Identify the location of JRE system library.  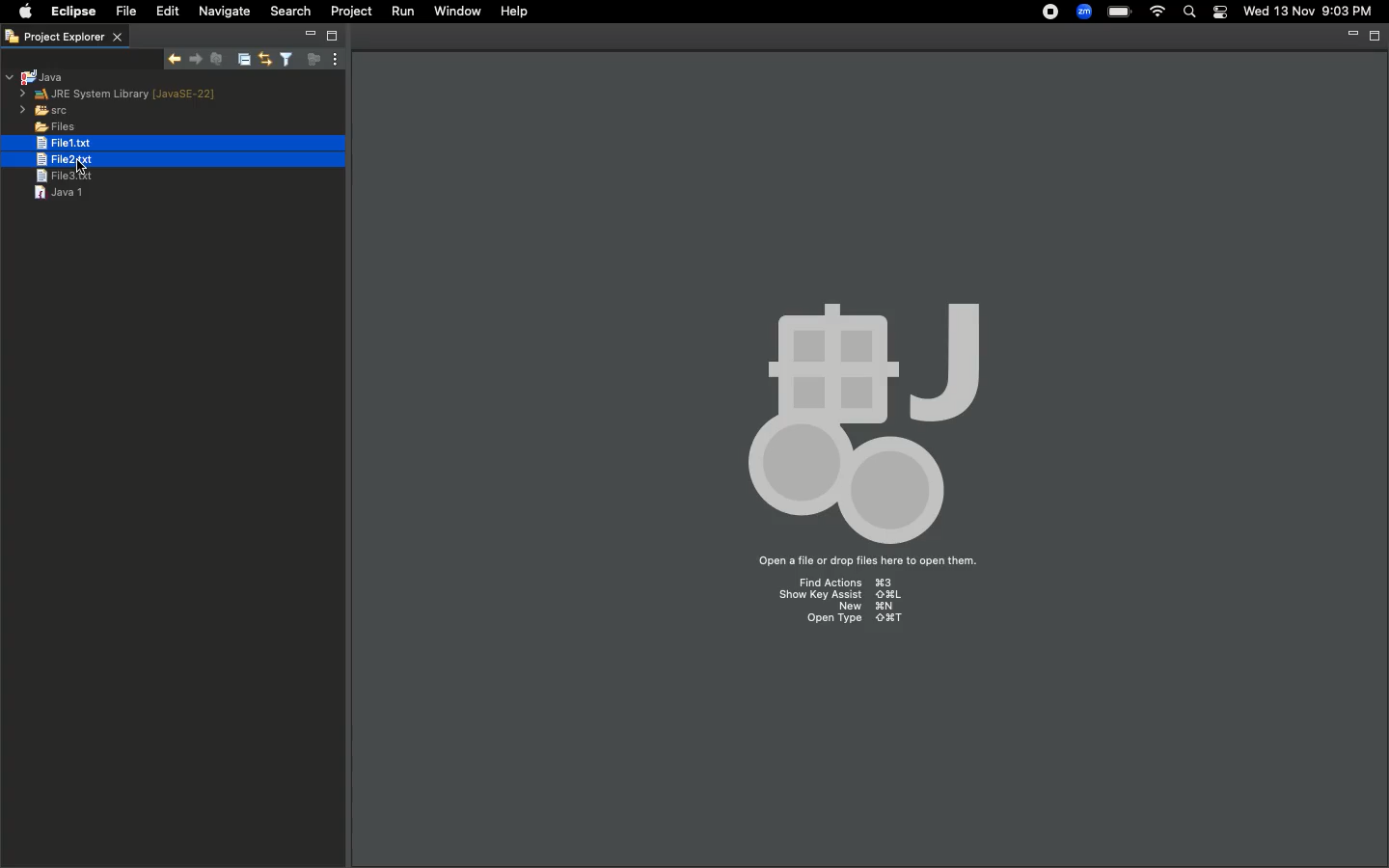
(122, 95).